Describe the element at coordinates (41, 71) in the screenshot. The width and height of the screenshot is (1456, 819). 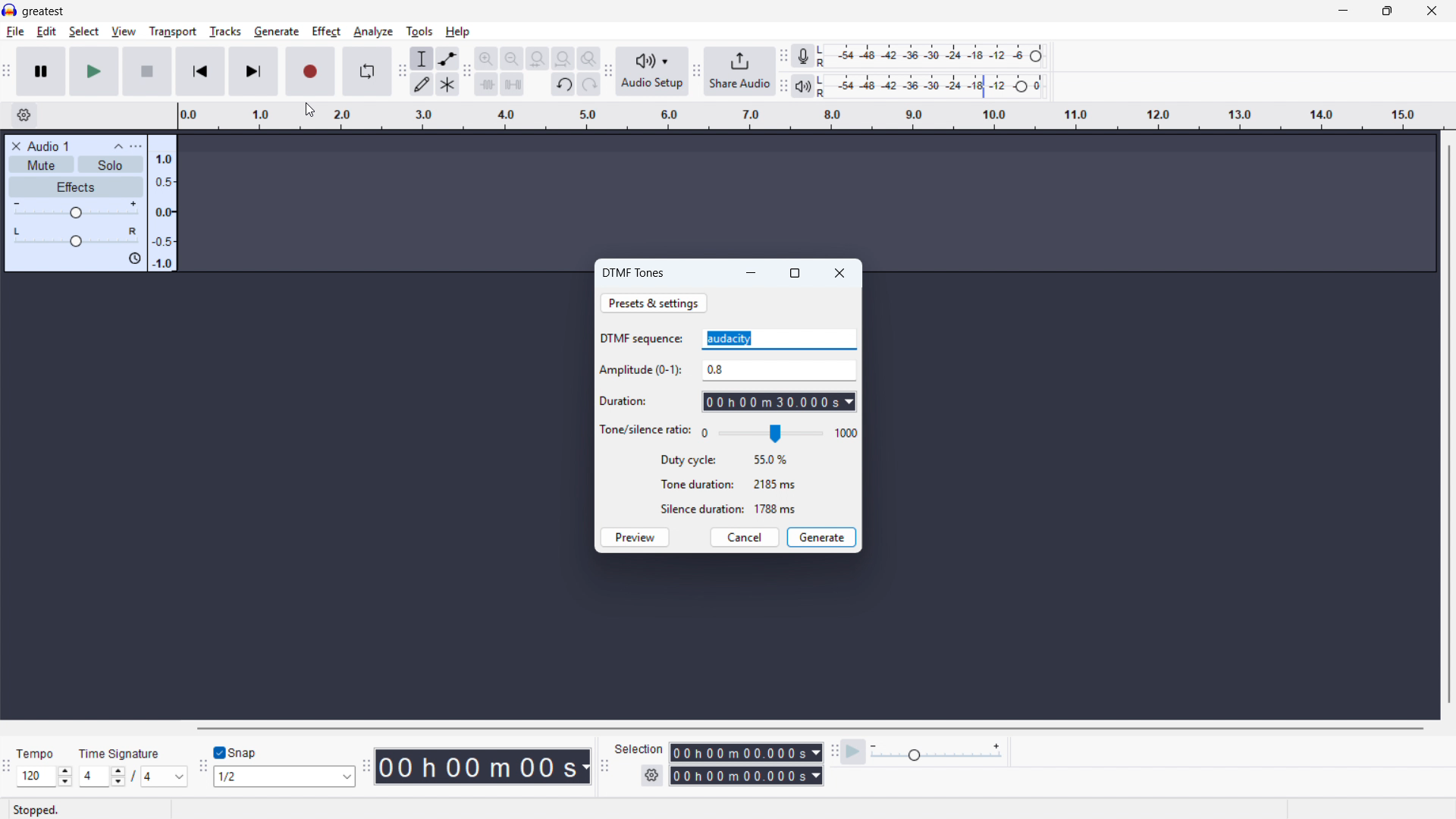
I see `pause` at that location.